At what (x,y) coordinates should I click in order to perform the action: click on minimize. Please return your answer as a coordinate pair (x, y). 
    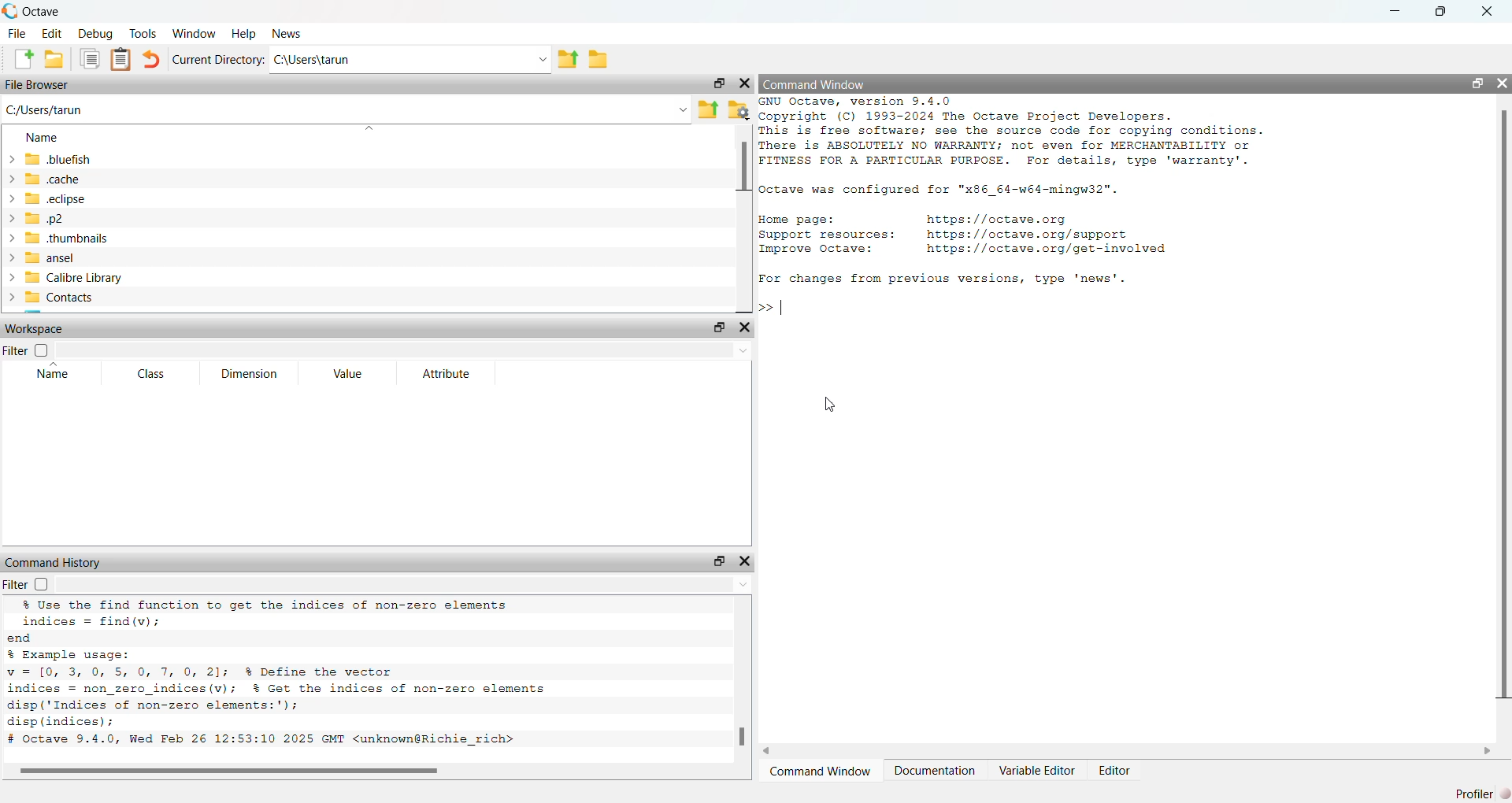
    Looking at the image, I should click on (1396, 13).